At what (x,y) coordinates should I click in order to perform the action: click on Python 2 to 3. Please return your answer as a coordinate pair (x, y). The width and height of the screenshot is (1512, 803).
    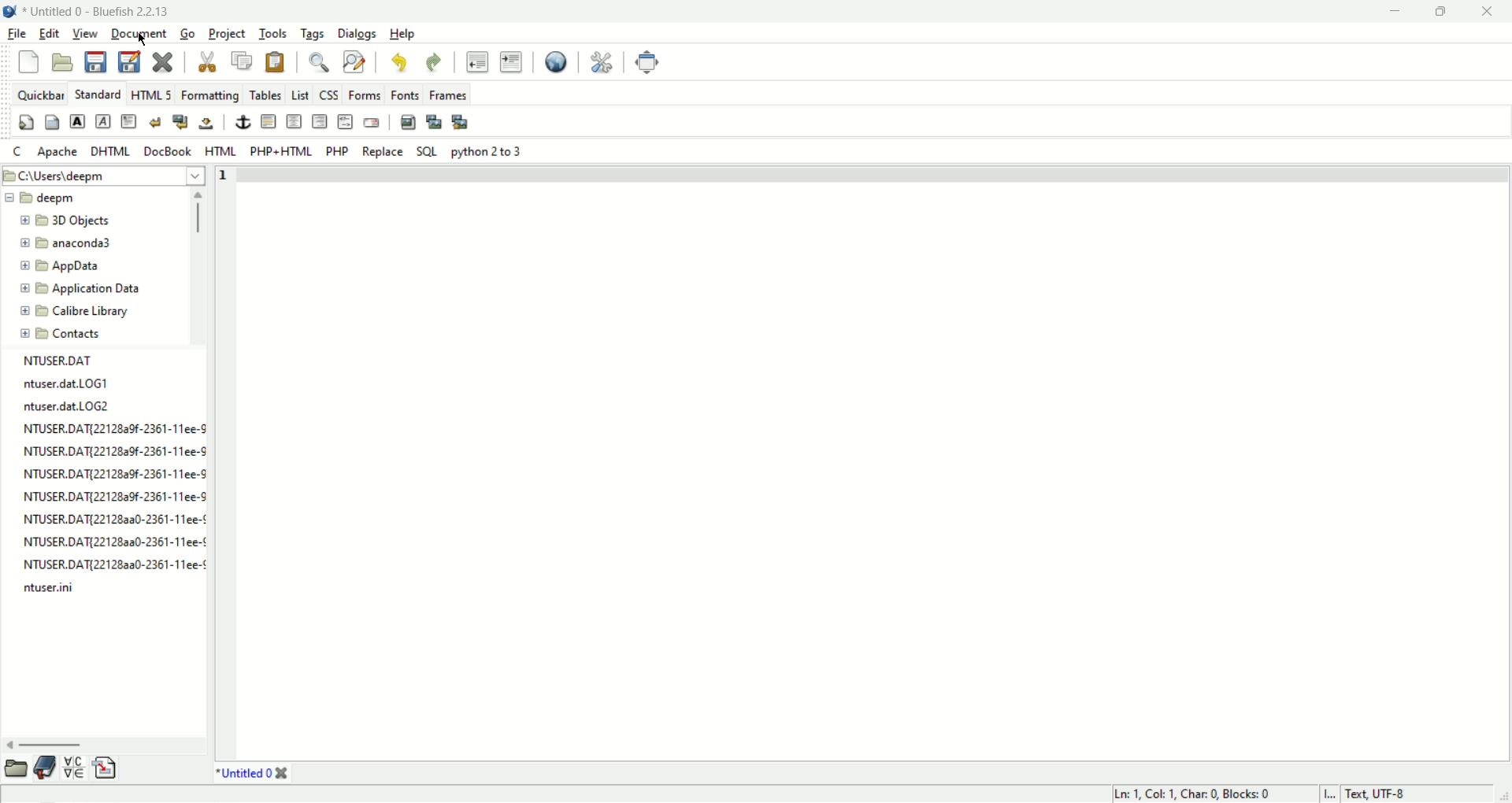
    Looking at the image, I should click on (487, 151).